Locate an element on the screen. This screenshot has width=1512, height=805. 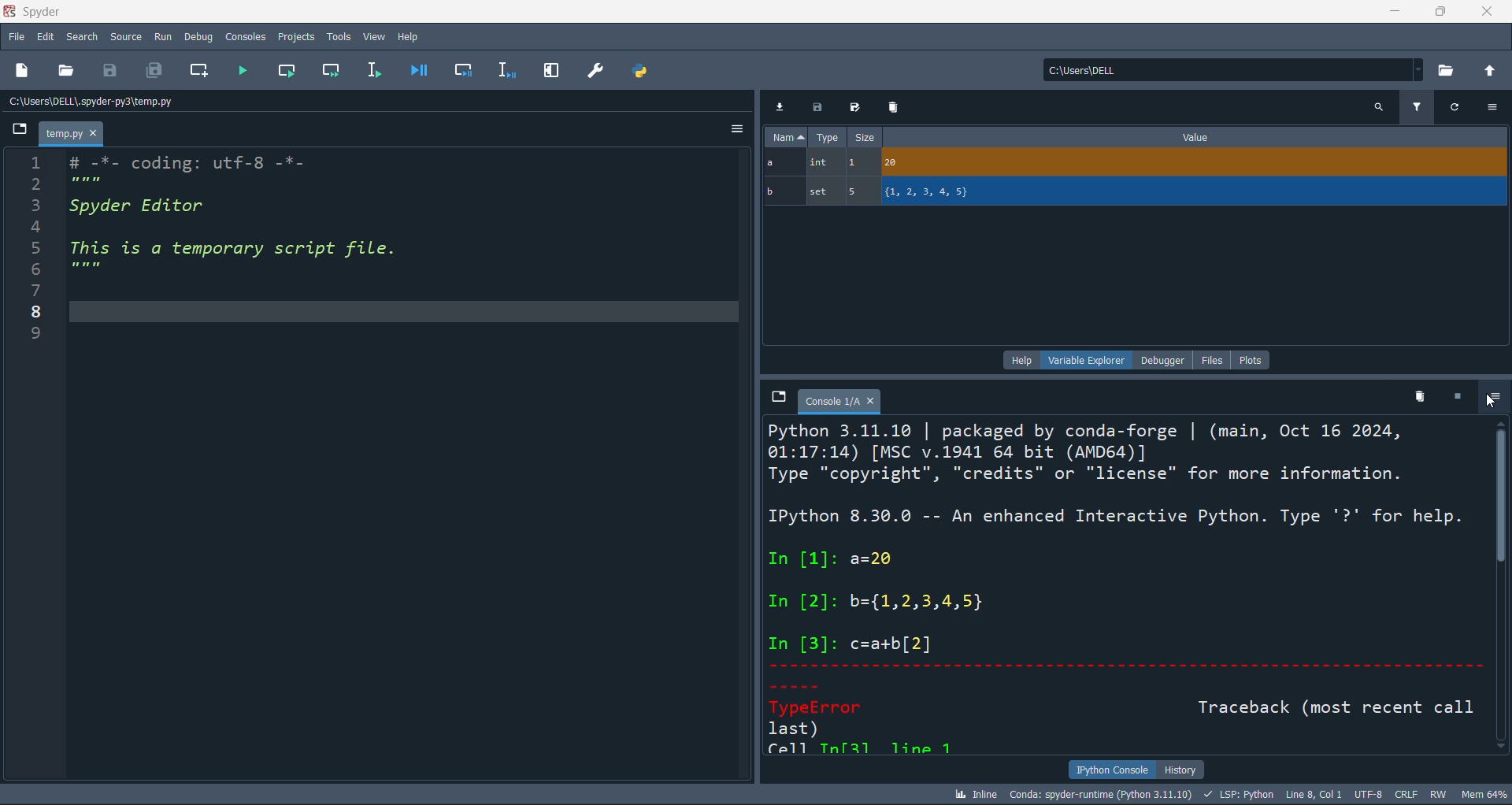
editor pane is located at coordinates (404, 466).